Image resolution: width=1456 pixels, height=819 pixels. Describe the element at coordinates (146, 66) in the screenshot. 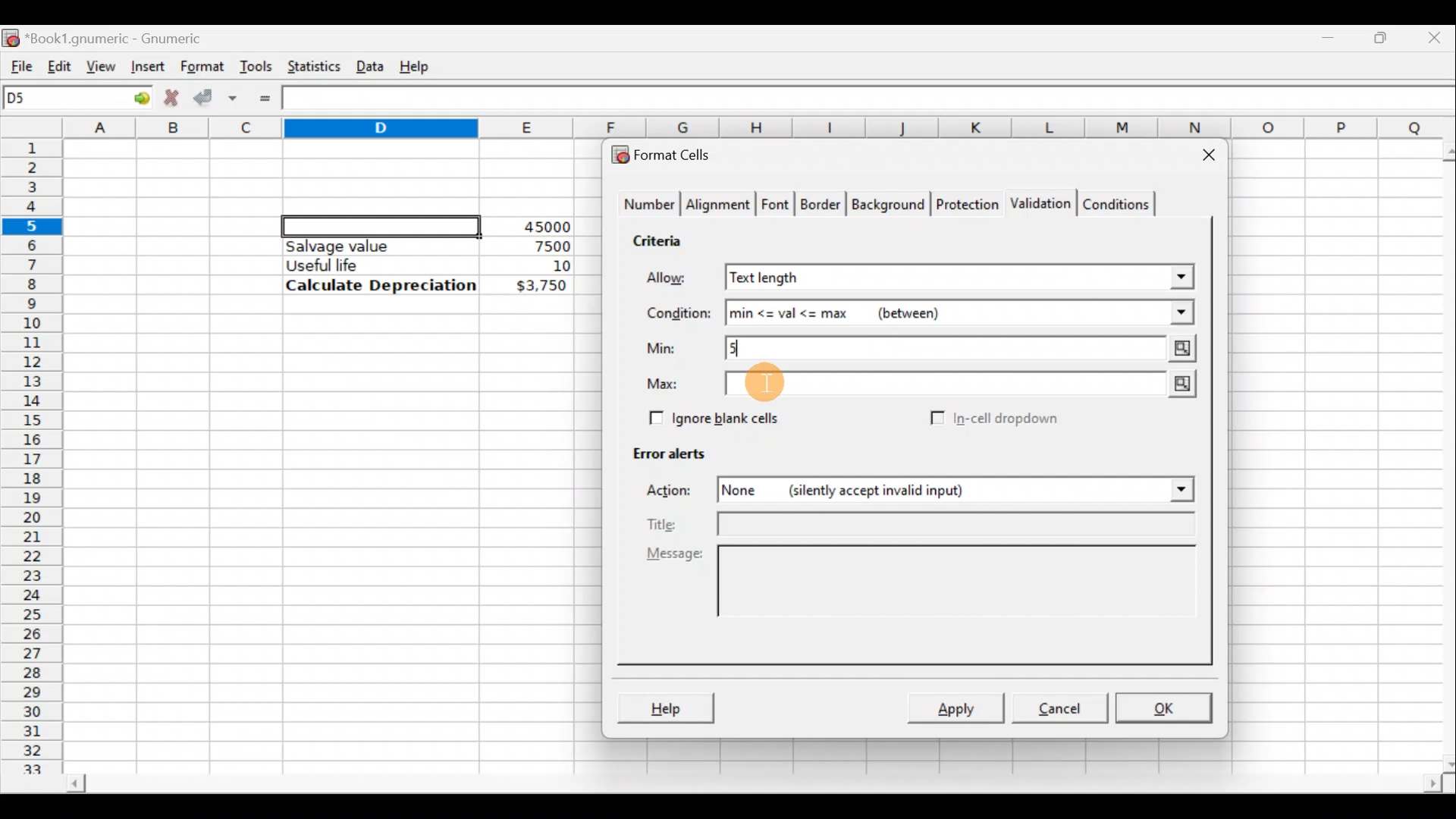

I see `Insert` at that location.